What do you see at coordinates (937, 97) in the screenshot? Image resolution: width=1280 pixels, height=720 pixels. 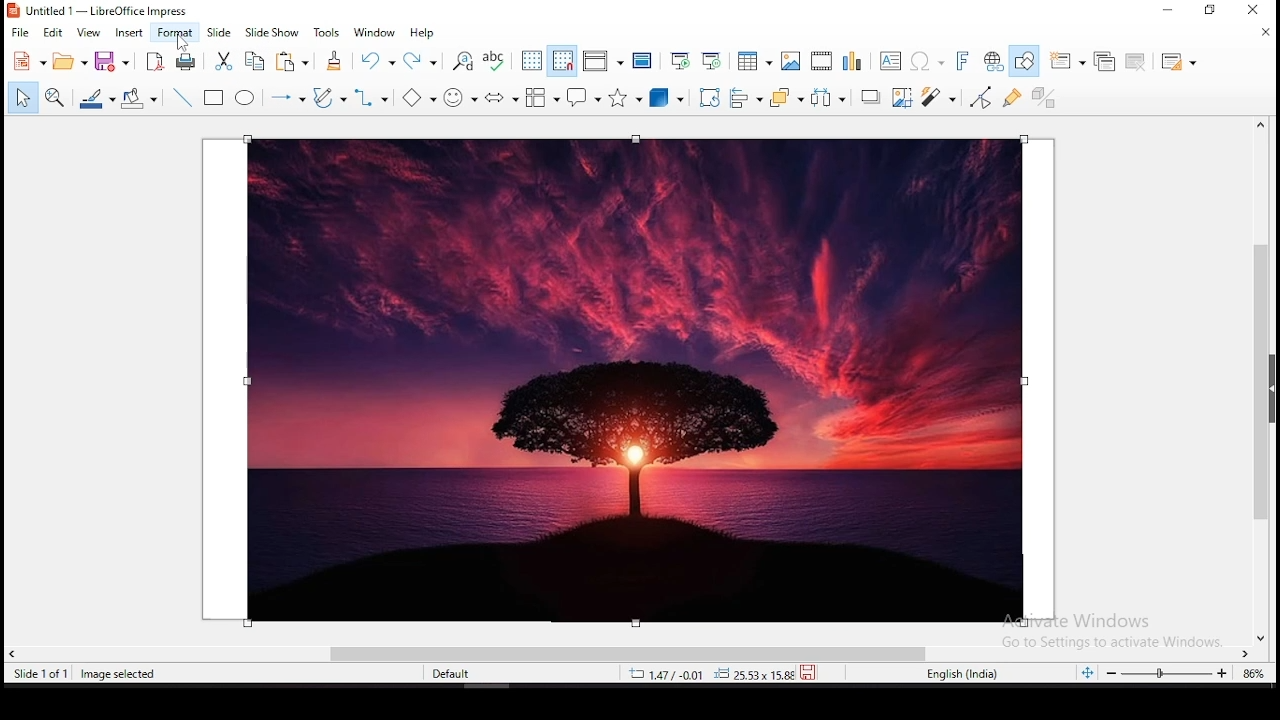 I see `filter` at bounding box center [937, 97].